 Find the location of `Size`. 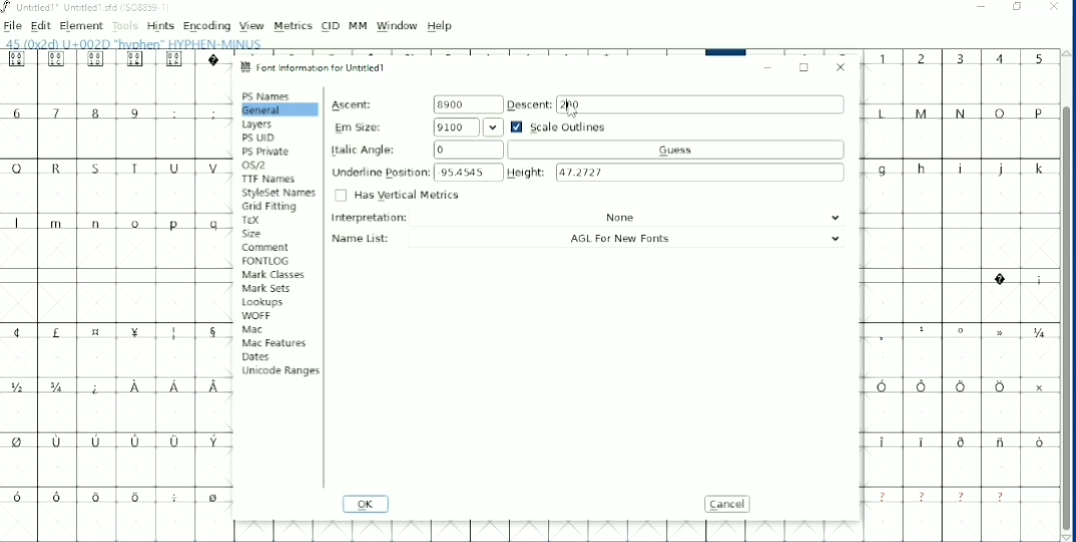

Size is located at coordinates (255, 233).